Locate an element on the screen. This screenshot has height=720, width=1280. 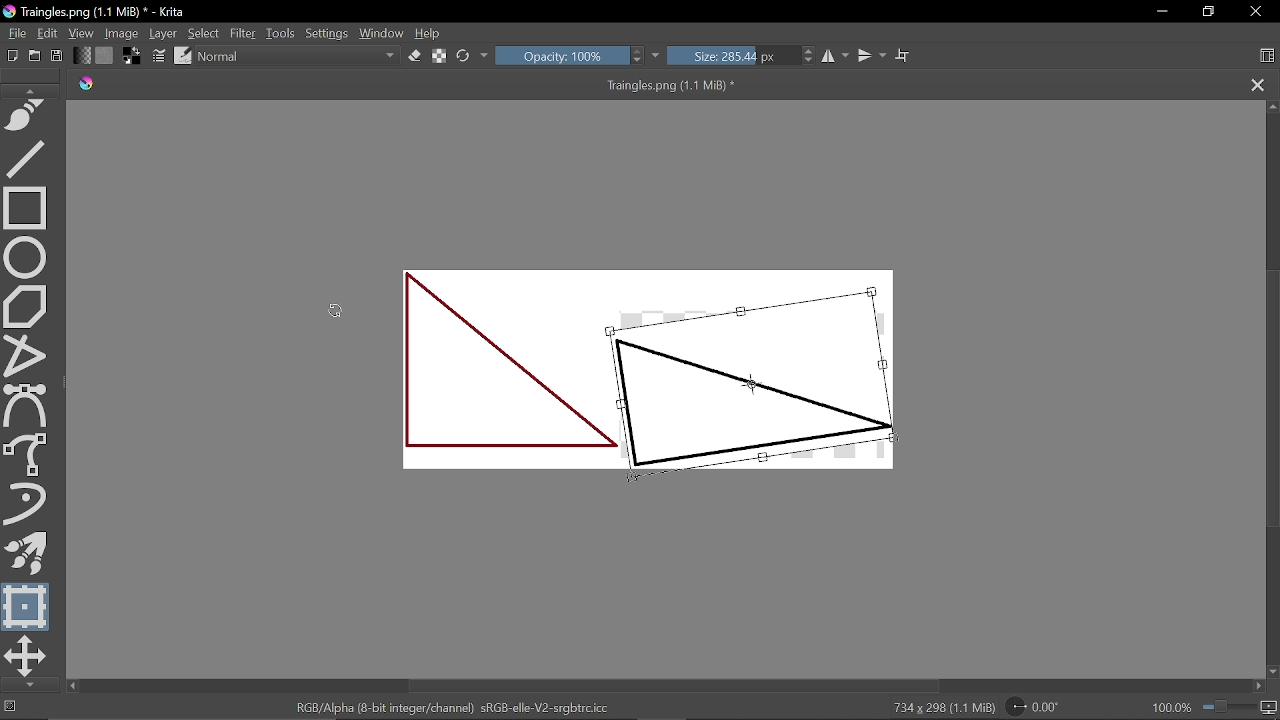
Open document is located at coordinates (34, 55).